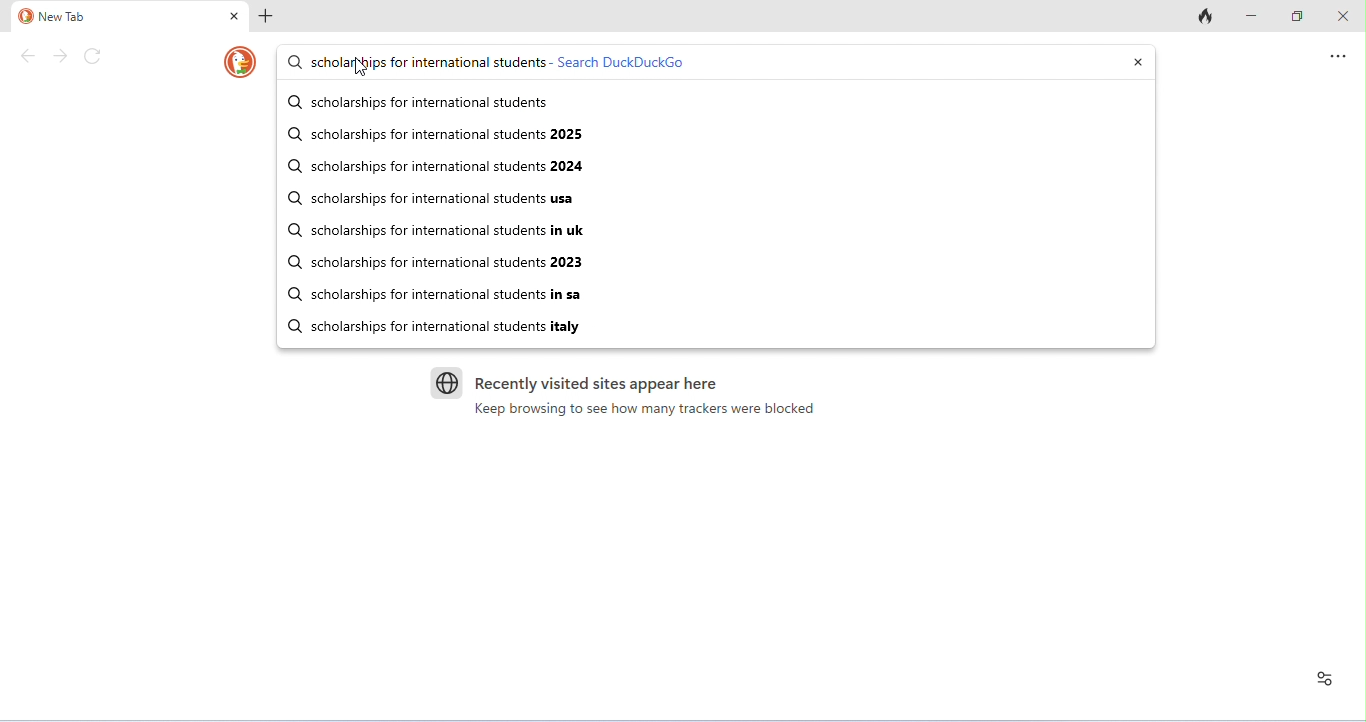 This screenshot has width=1366, height=722. Describe the element at coordinates (1327, 677) in the screenshot. I see `recent activity and favorites` at that location.